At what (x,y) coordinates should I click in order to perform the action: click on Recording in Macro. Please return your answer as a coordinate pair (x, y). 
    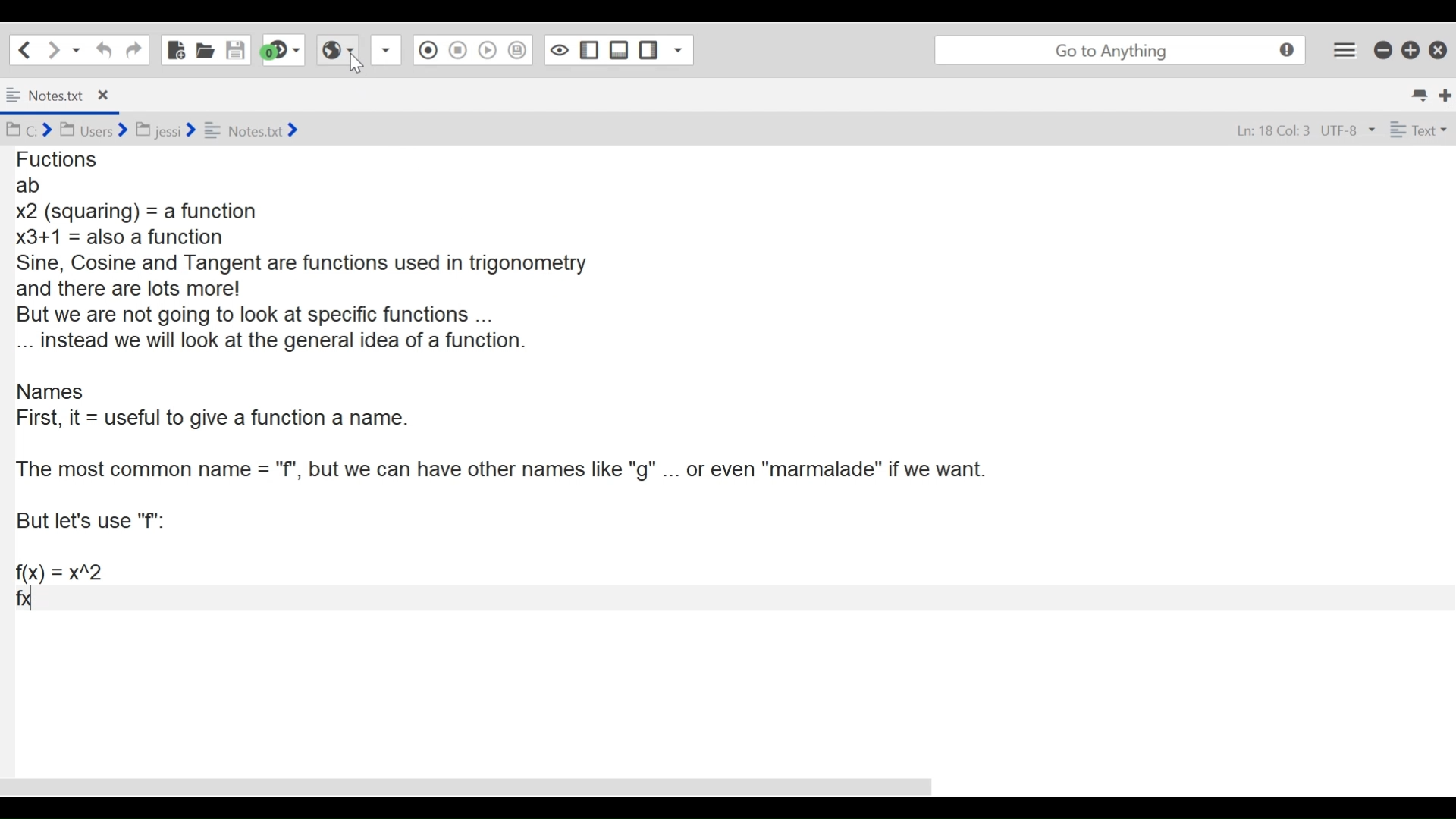
    Looking at the image, I should click on (428, 49).